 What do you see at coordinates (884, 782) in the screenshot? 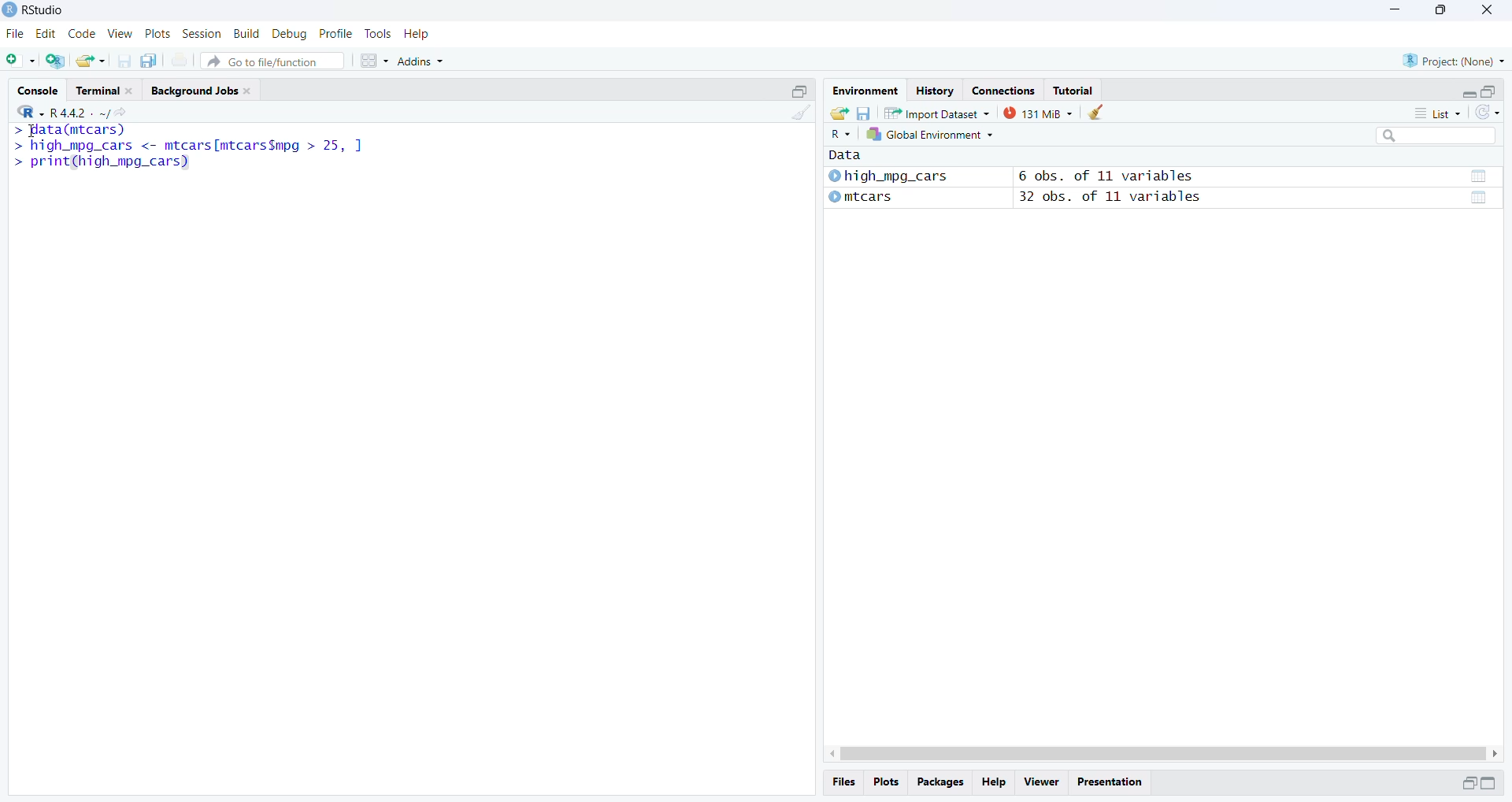
I see `Plots` at bounding box center [884, 782].